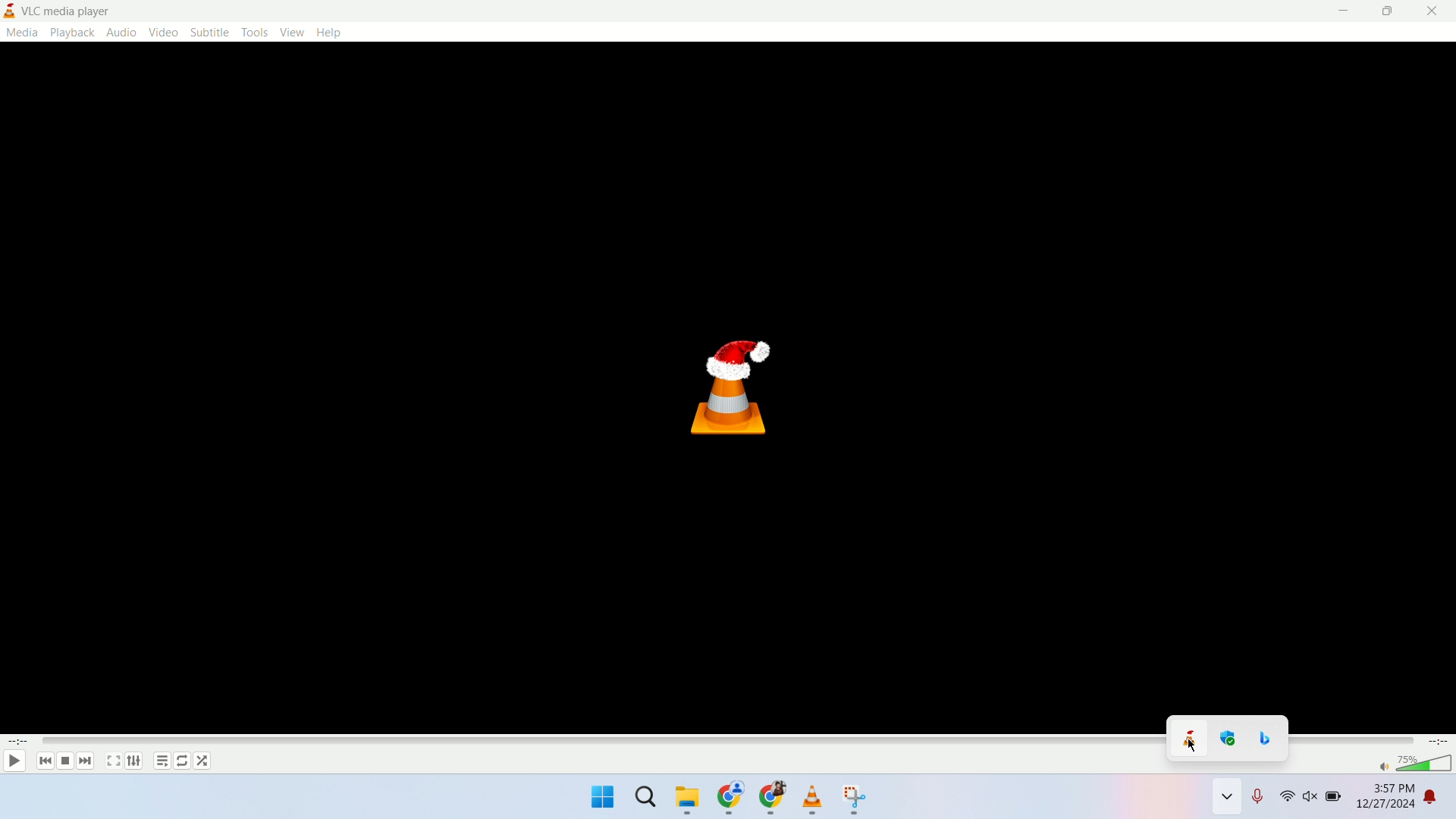 The image size is (1456, 819). Describe the element at coordinates (112, 761) in the screenshot. I see `fullscreen` at that location.